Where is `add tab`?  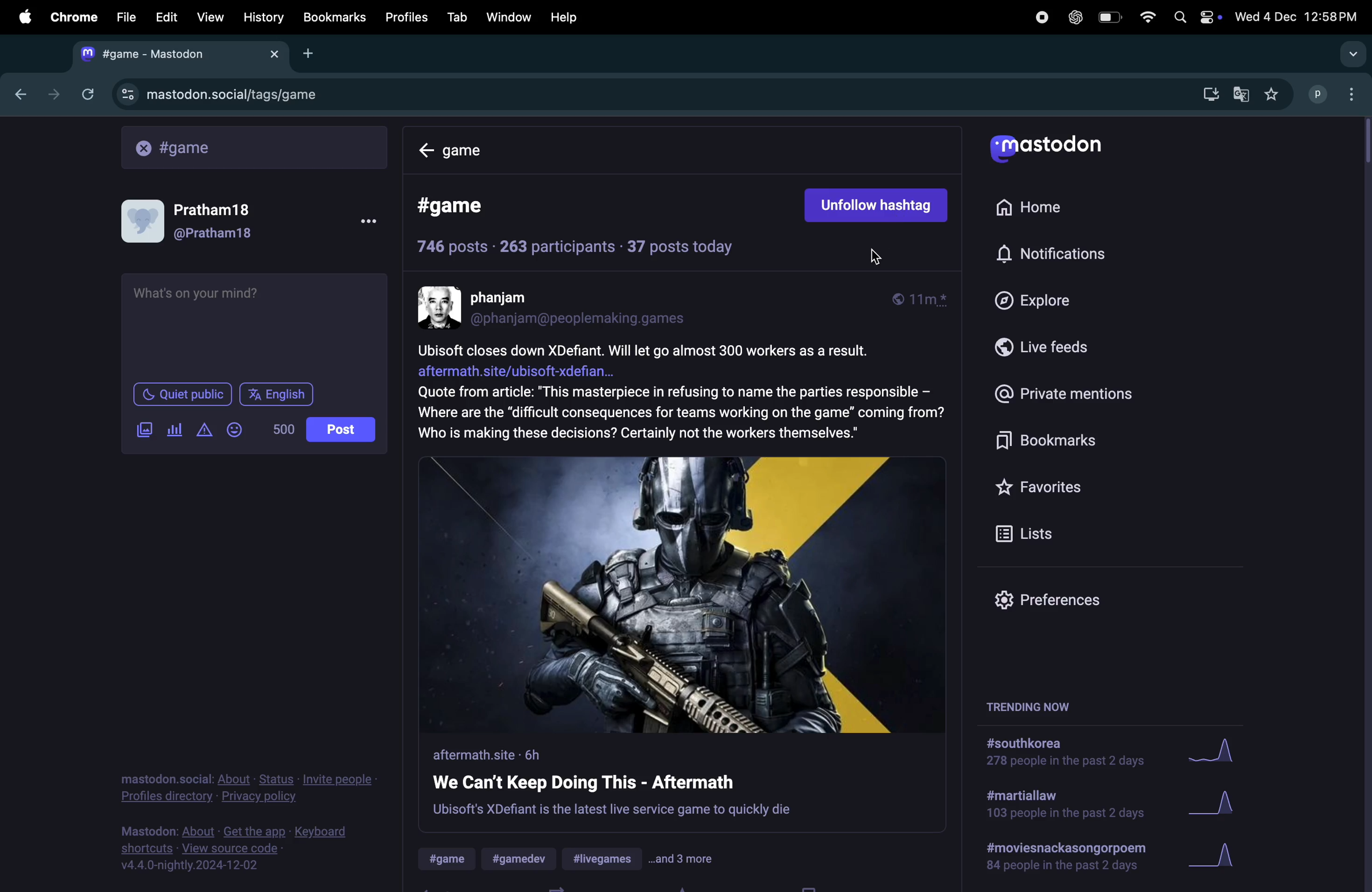
add tab is located at coordinates (313, 54).